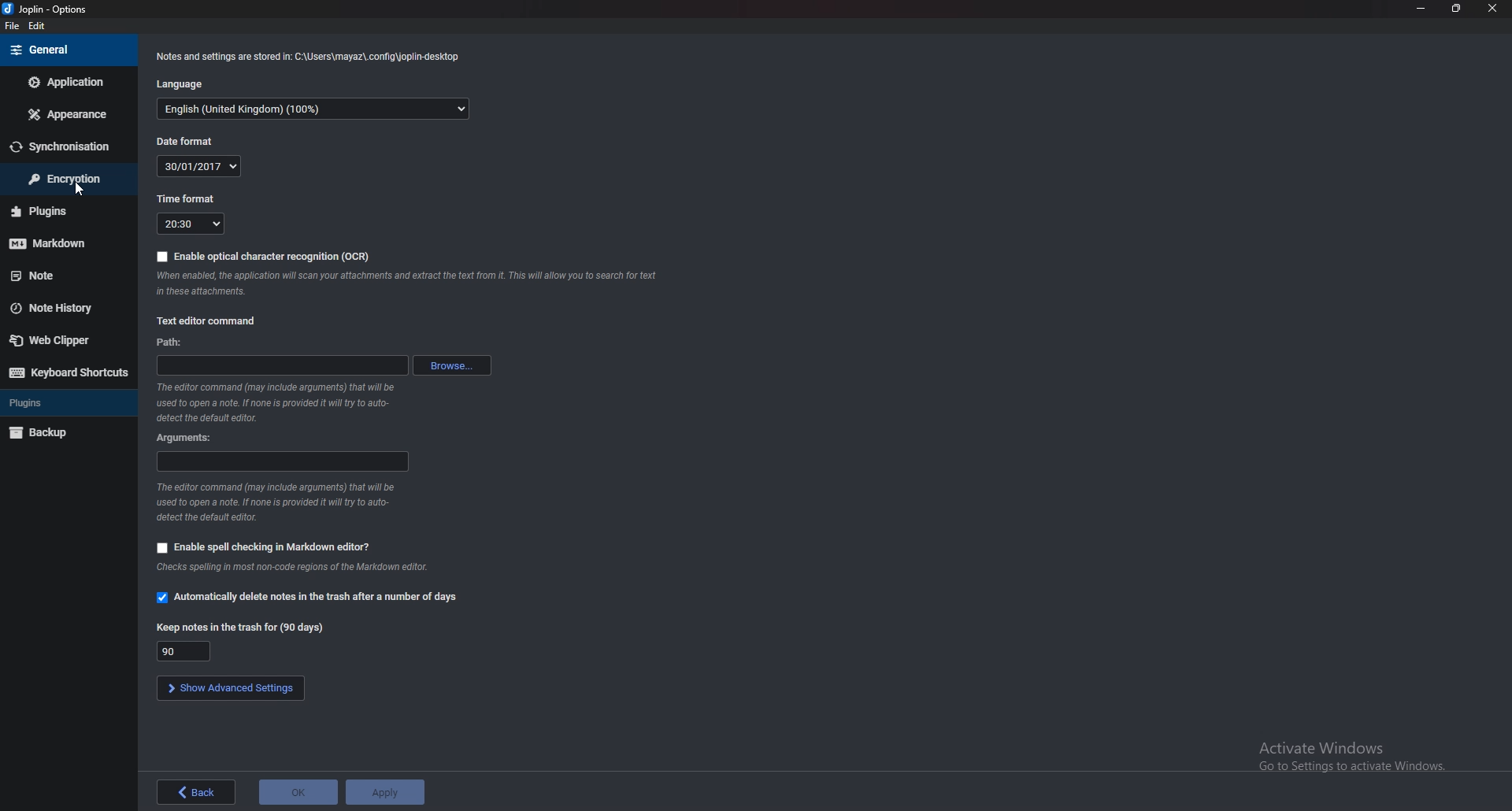 This screenshot has height=811, width=1512. Describe the element at coordinates (180, 83) in the screenshot. I see `language` at that location.